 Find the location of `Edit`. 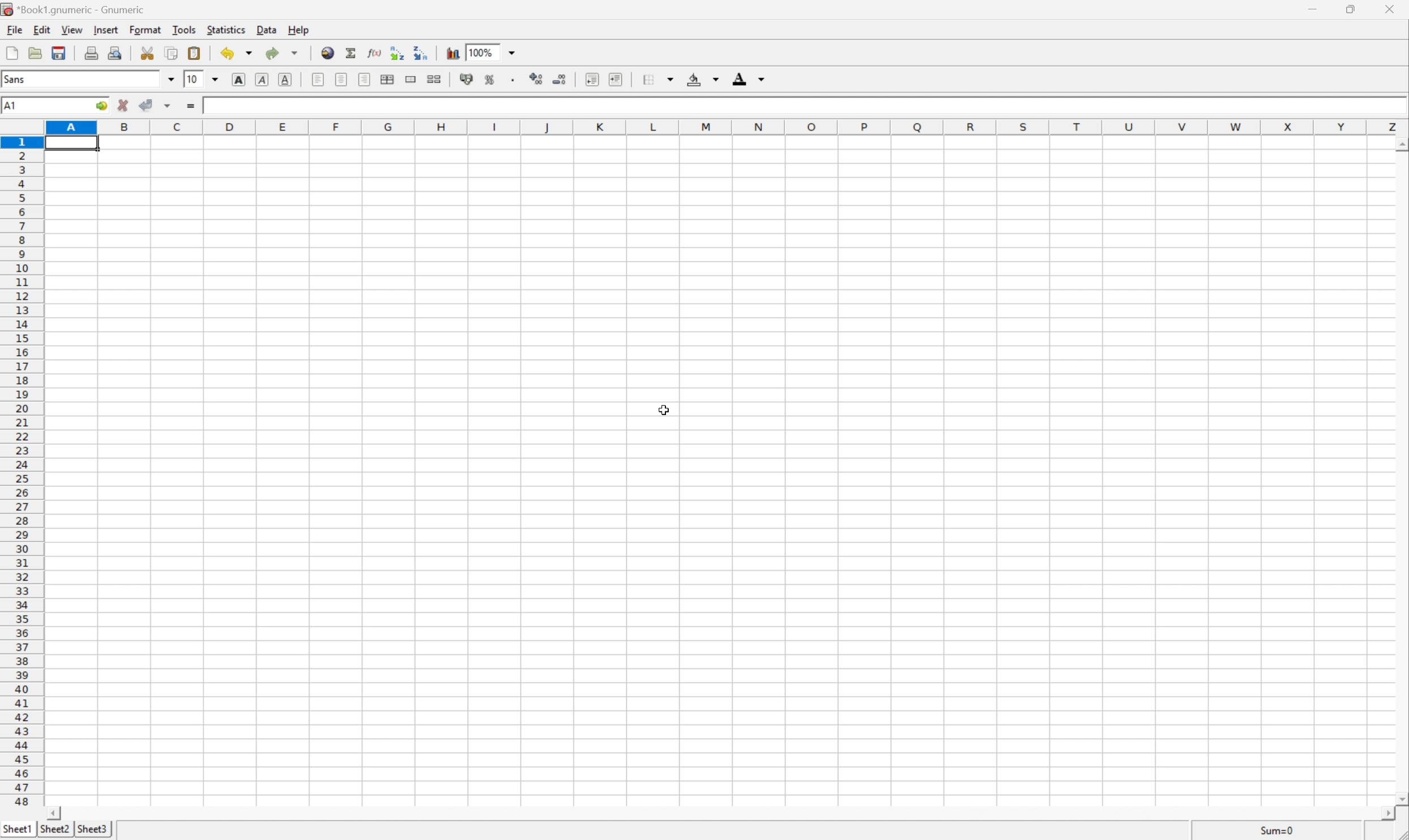

Edit is located at coordinates (42, 30).